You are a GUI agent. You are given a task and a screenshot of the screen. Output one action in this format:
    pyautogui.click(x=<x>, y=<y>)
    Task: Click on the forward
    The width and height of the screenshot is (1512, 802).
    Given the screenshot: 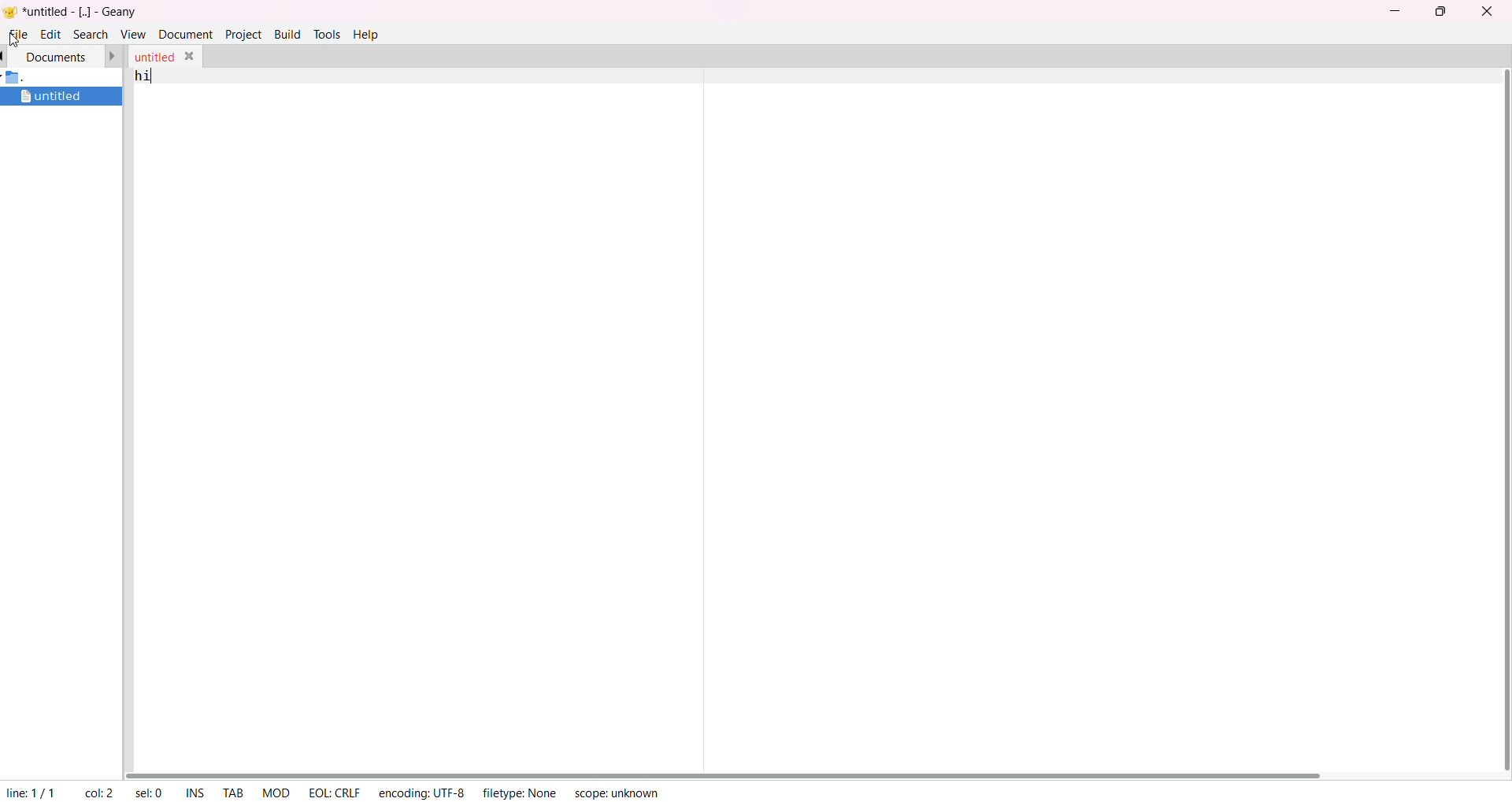 What is the action you would take?
    pyautogui.click(x=113, y=56)
    